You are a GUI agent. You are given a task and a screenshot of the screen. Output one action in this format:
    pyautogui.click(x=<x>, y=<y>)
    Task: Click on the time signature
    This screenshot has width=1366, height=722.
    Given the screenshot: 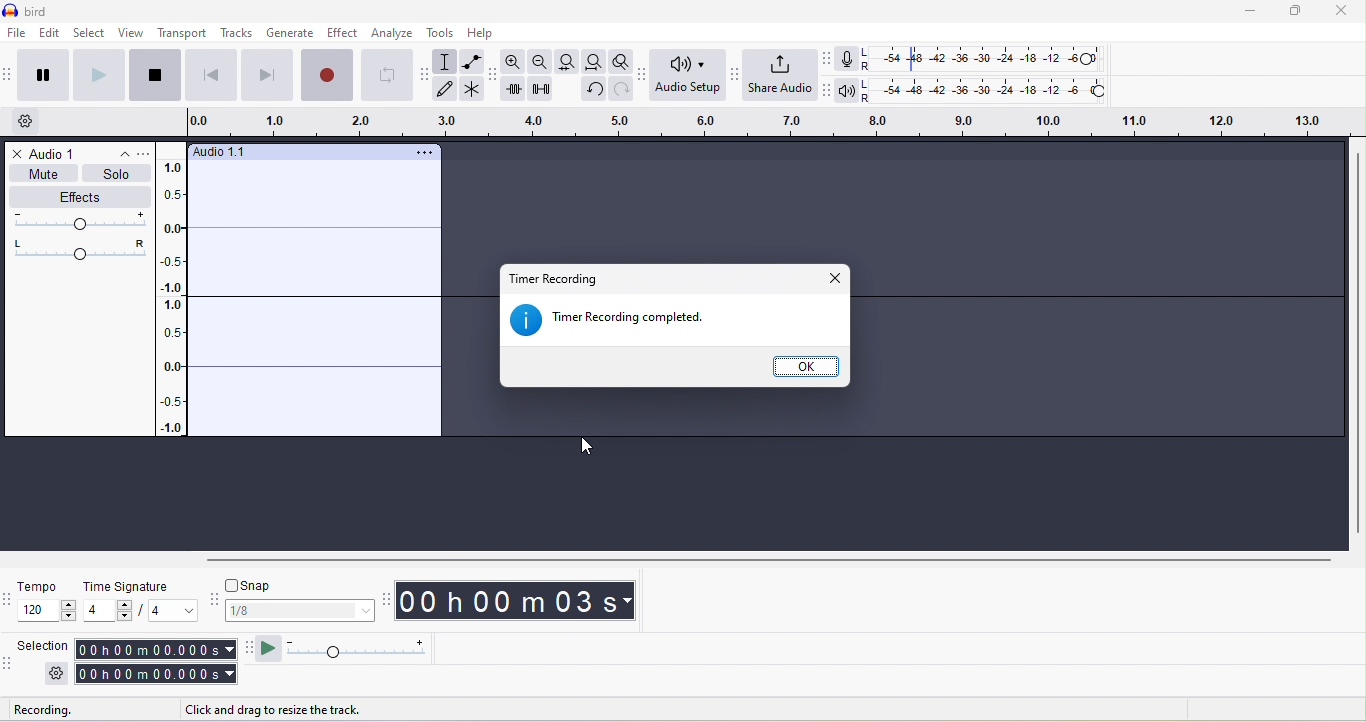 What is the action you would take?
    pyautogui.click(x=139, y=588)
    